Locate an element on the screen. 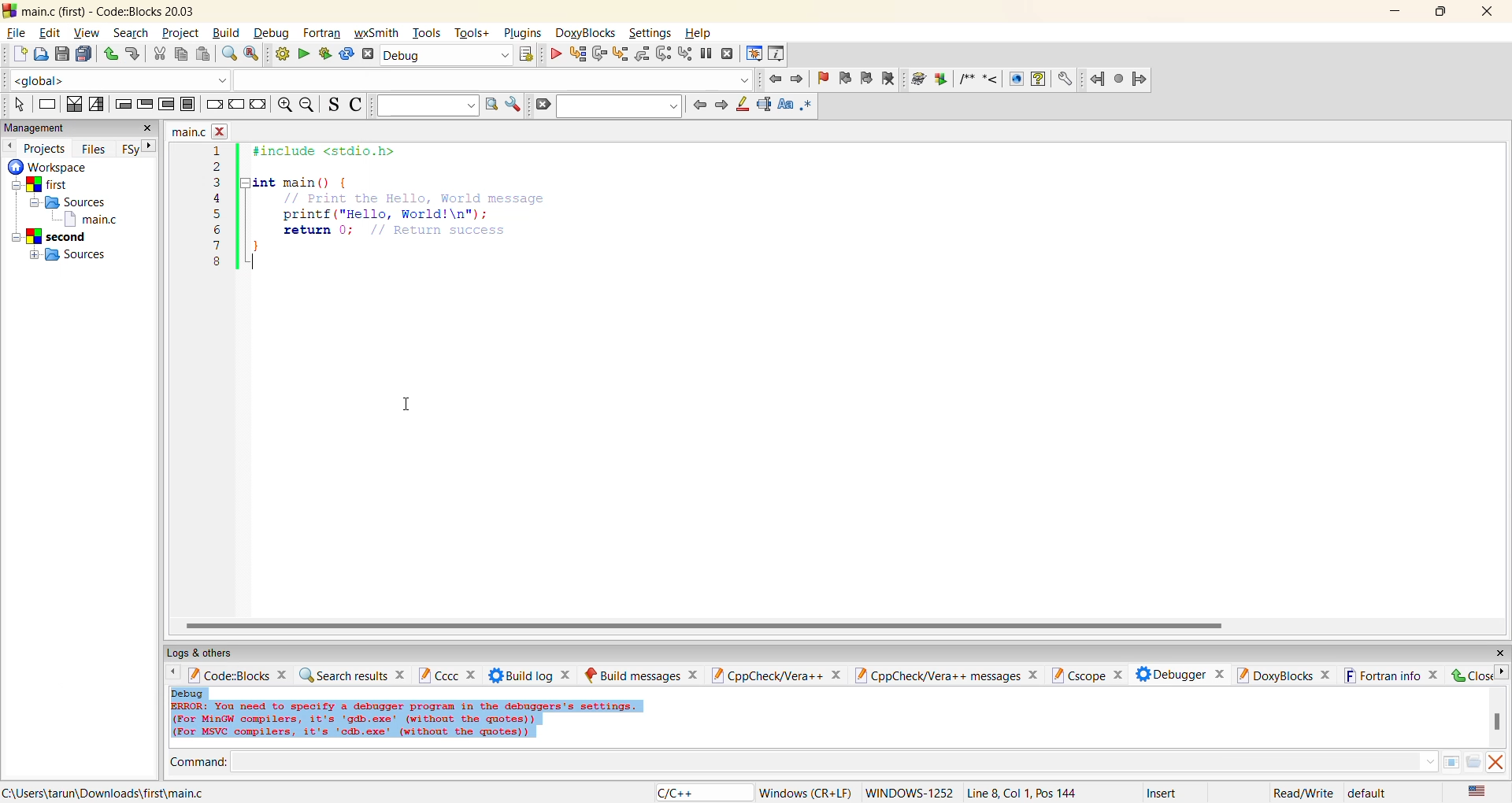  cppcheck/vera++ is located at coordinates (778, 675).